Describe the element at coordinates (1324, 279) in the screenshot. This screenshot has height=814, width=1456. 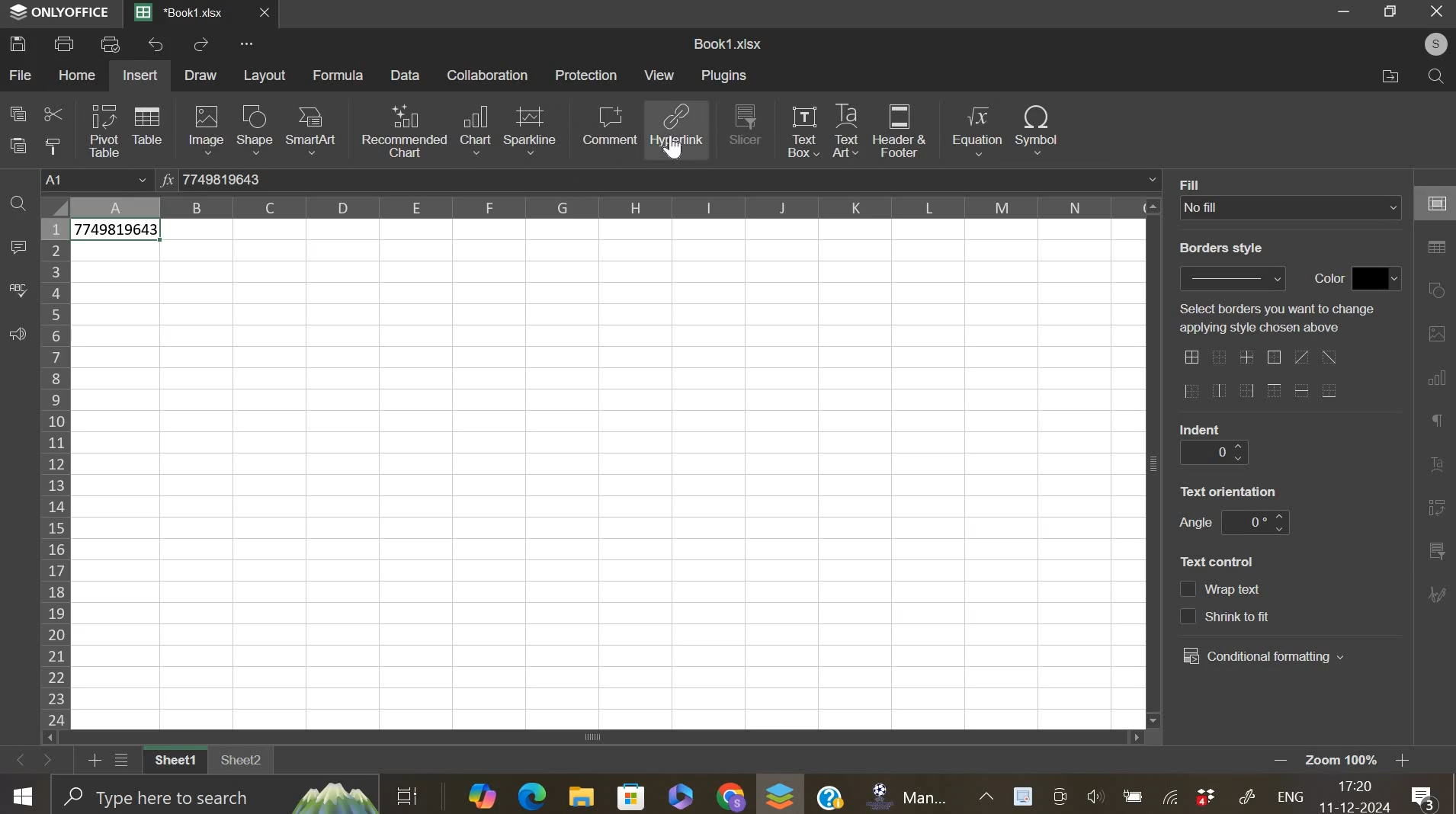
I see `text` at that location.